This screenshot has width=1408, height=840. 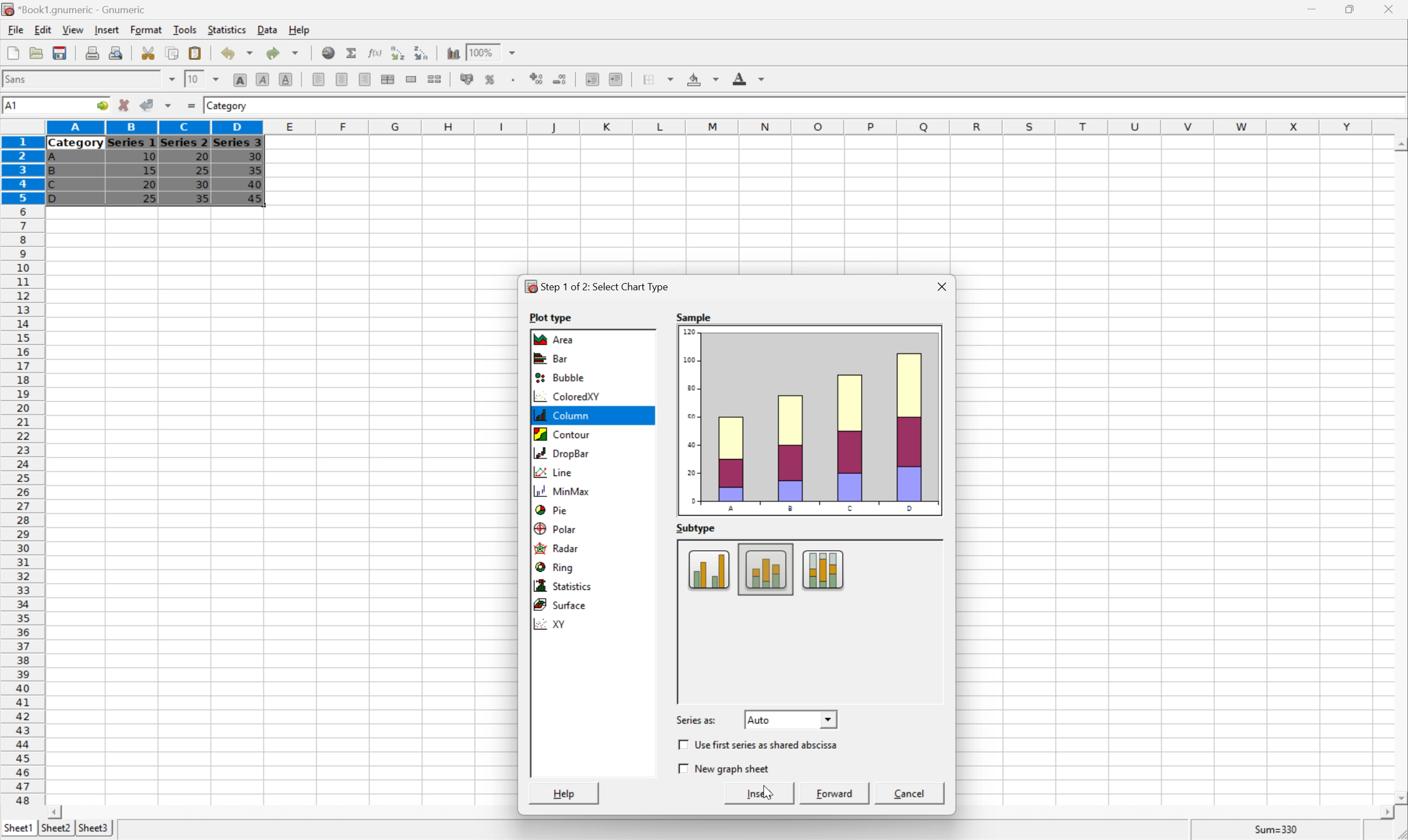 What do you see at coordinates (281, 52) in the screenshot?
I see `Redo` at bounding box center [281, 52].